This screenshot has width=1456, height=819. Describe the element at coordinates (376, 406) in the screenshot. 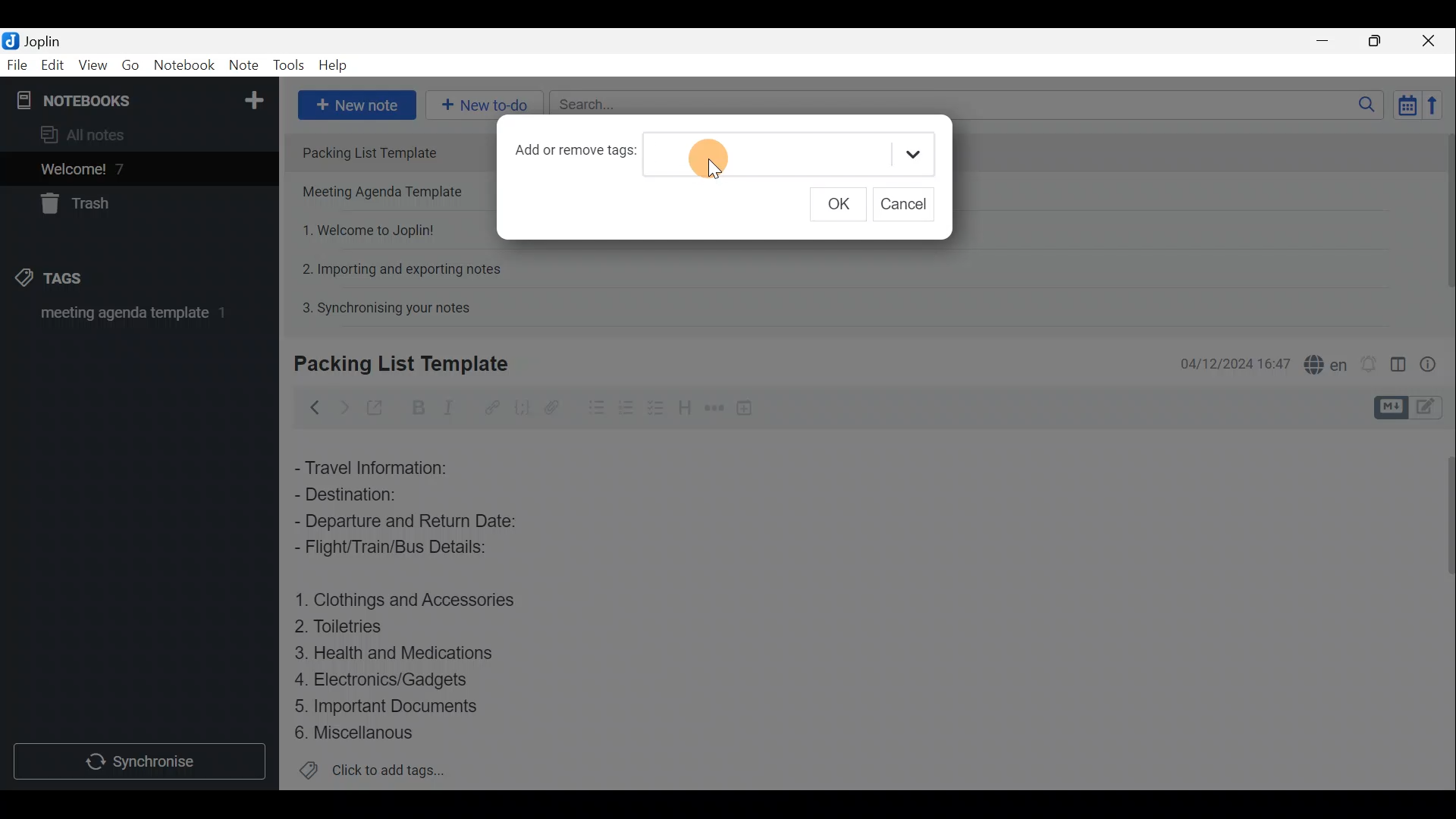

I see `Toggle external editing` at that location.